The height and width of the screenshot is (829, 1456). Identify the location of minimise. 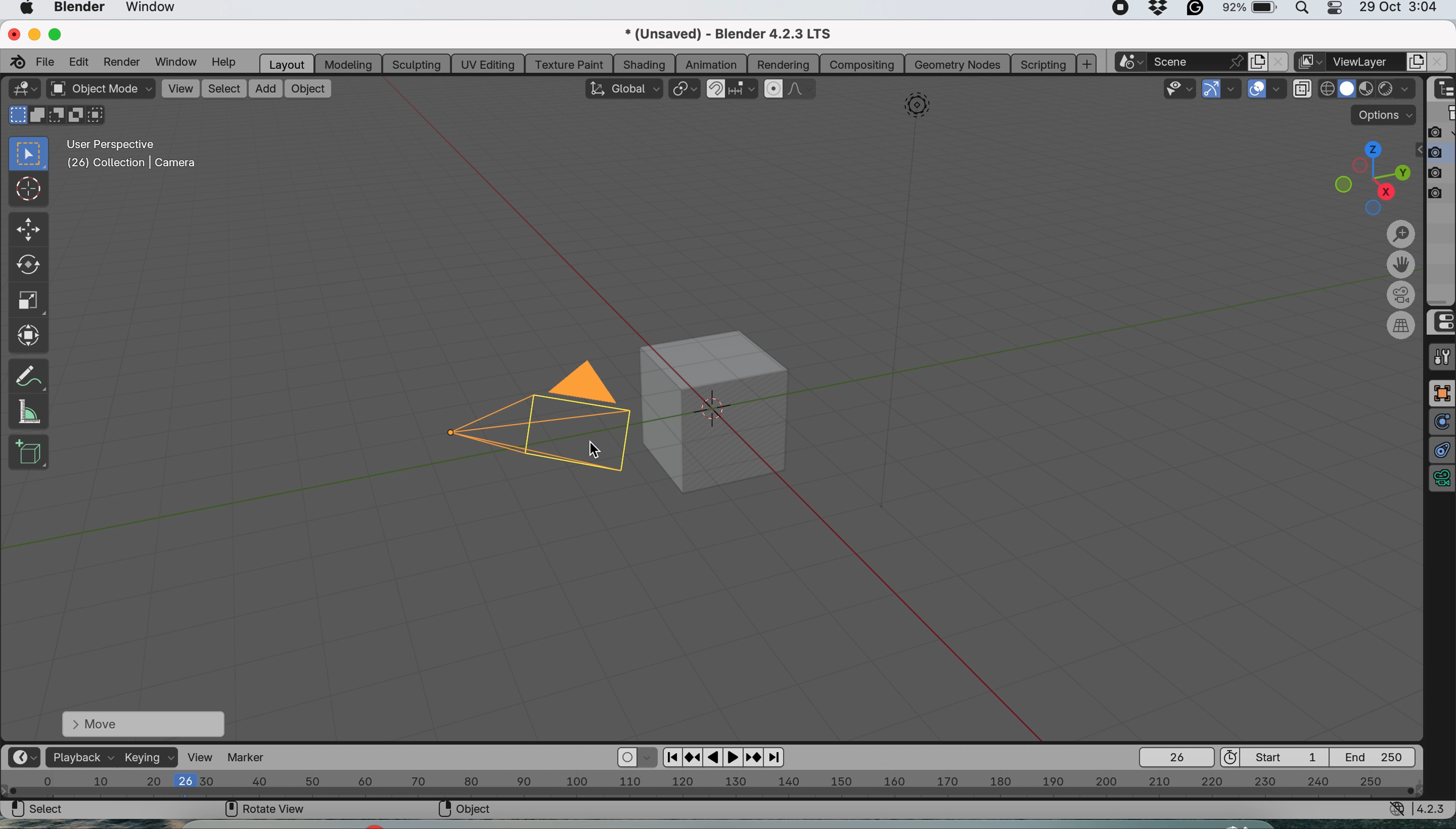
(32, 34).